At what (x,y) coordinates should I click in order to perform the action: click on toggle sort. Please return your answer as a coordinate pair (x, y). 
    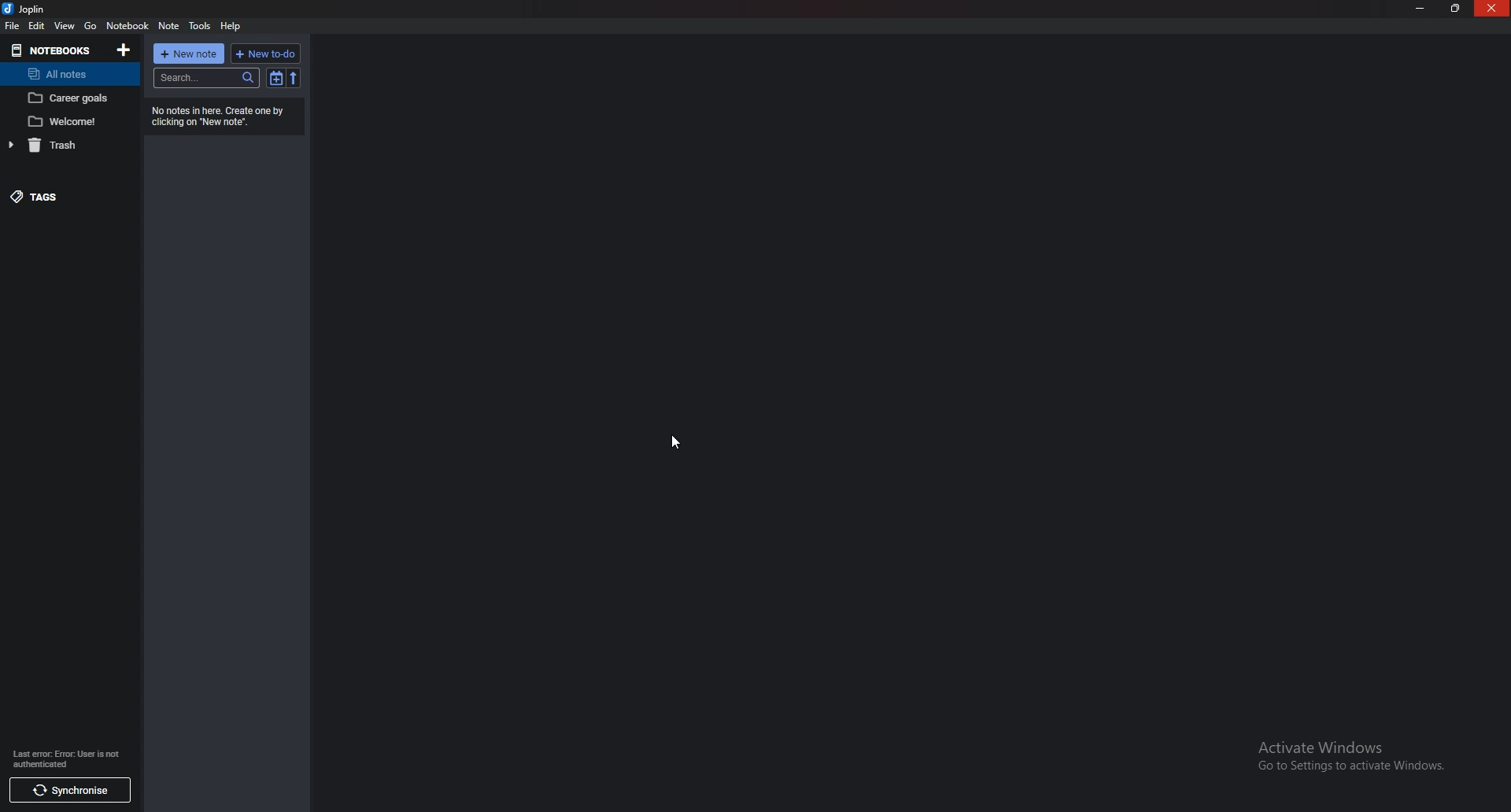
    Looking at the image, I should click on (275, 79).